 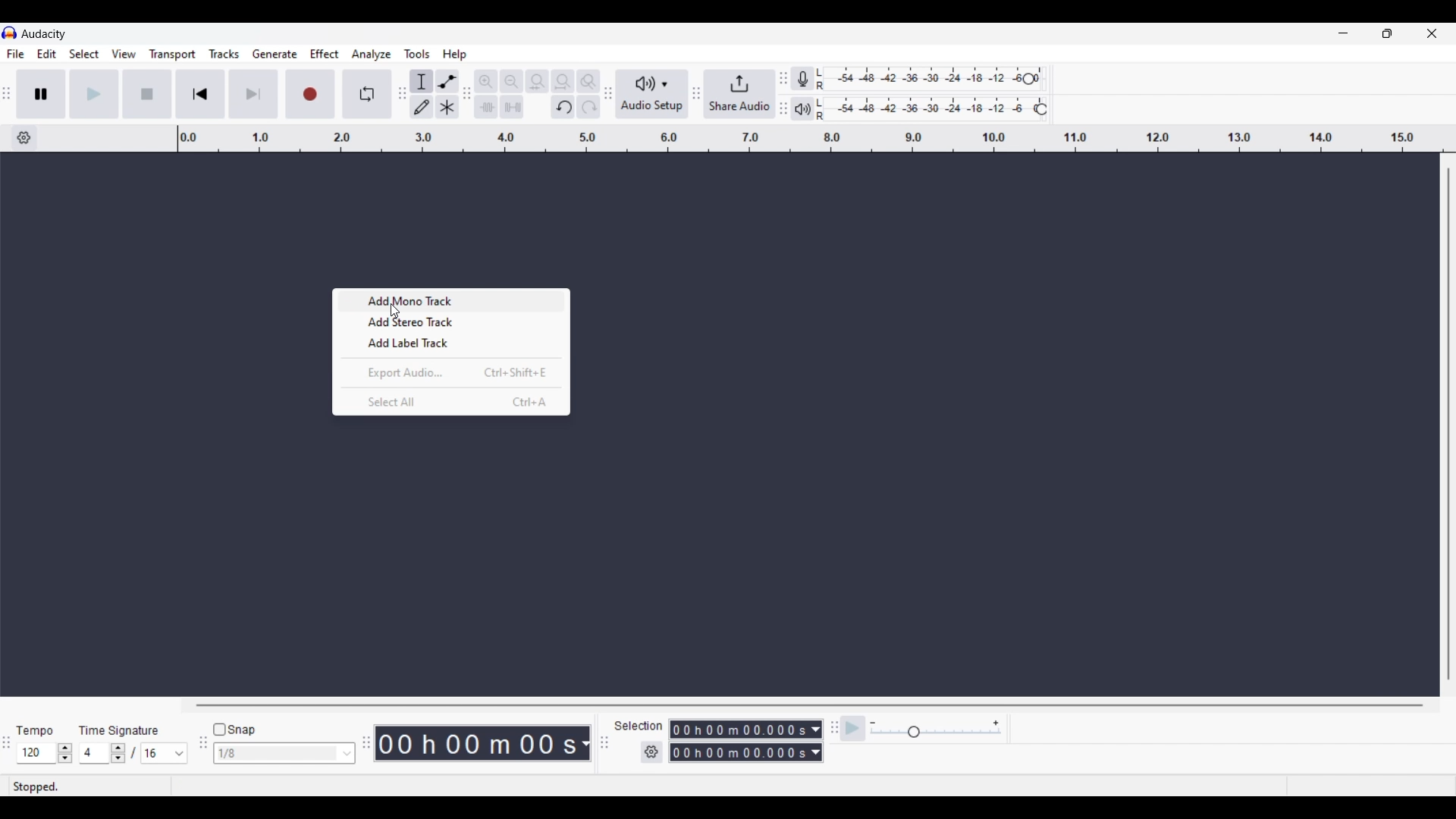 I want to click on Time signature options, so click(x=180, y=754).